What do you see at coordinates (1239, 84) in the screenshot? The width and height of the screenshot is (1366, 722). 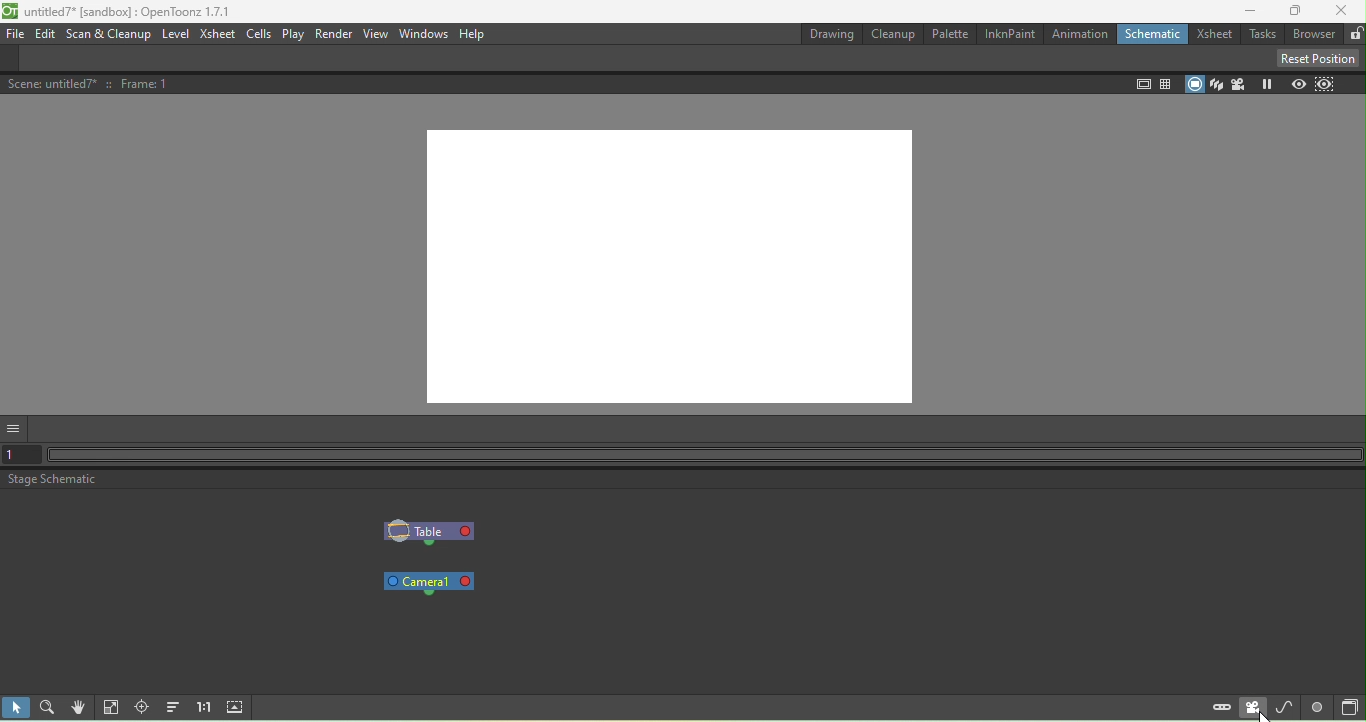 I see `Camera view` at bounding box center [1239, 84].